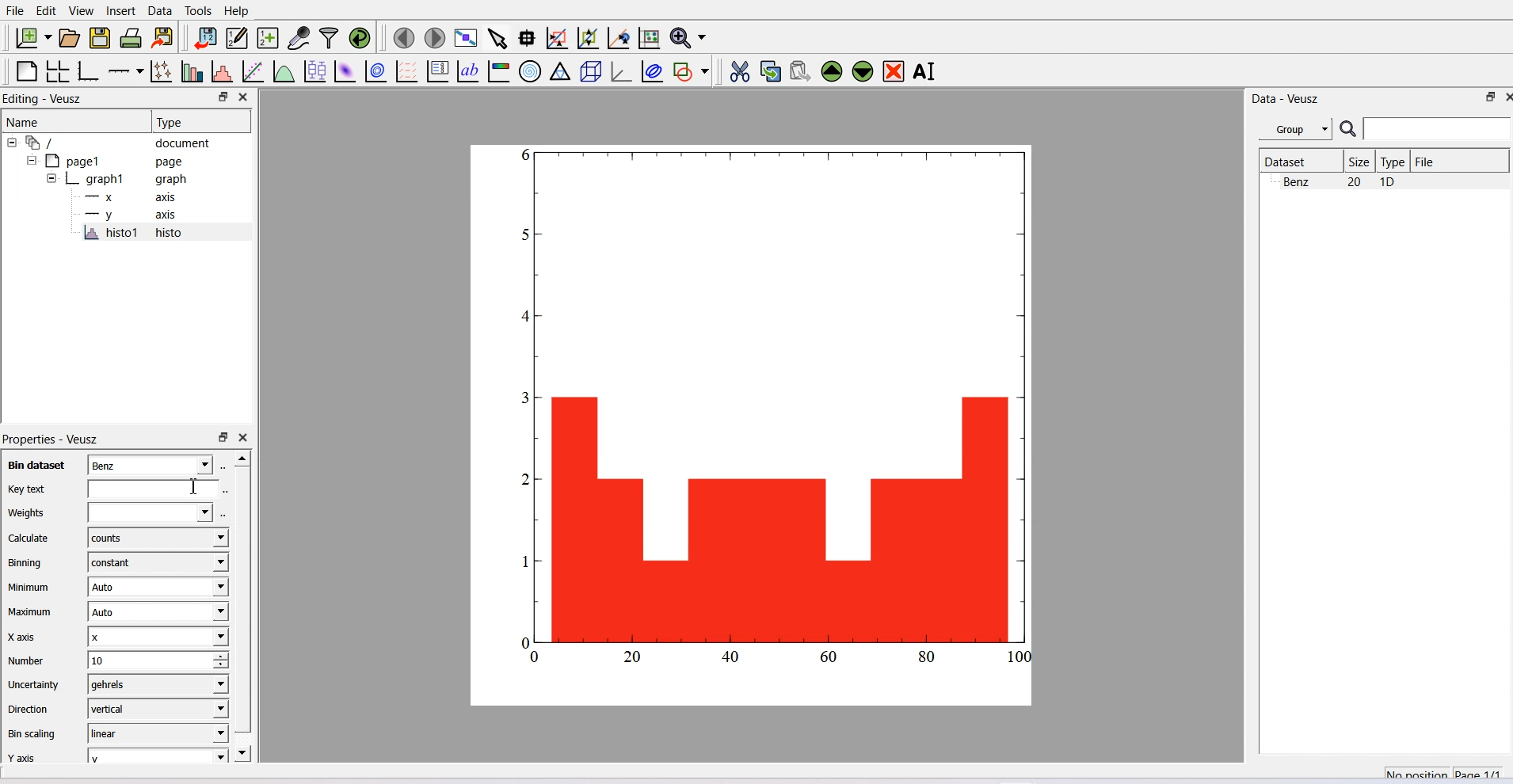  Describe the element at coordinates (498, 39) in the screenshot. I see `Select items from graph or scroll` at that location.